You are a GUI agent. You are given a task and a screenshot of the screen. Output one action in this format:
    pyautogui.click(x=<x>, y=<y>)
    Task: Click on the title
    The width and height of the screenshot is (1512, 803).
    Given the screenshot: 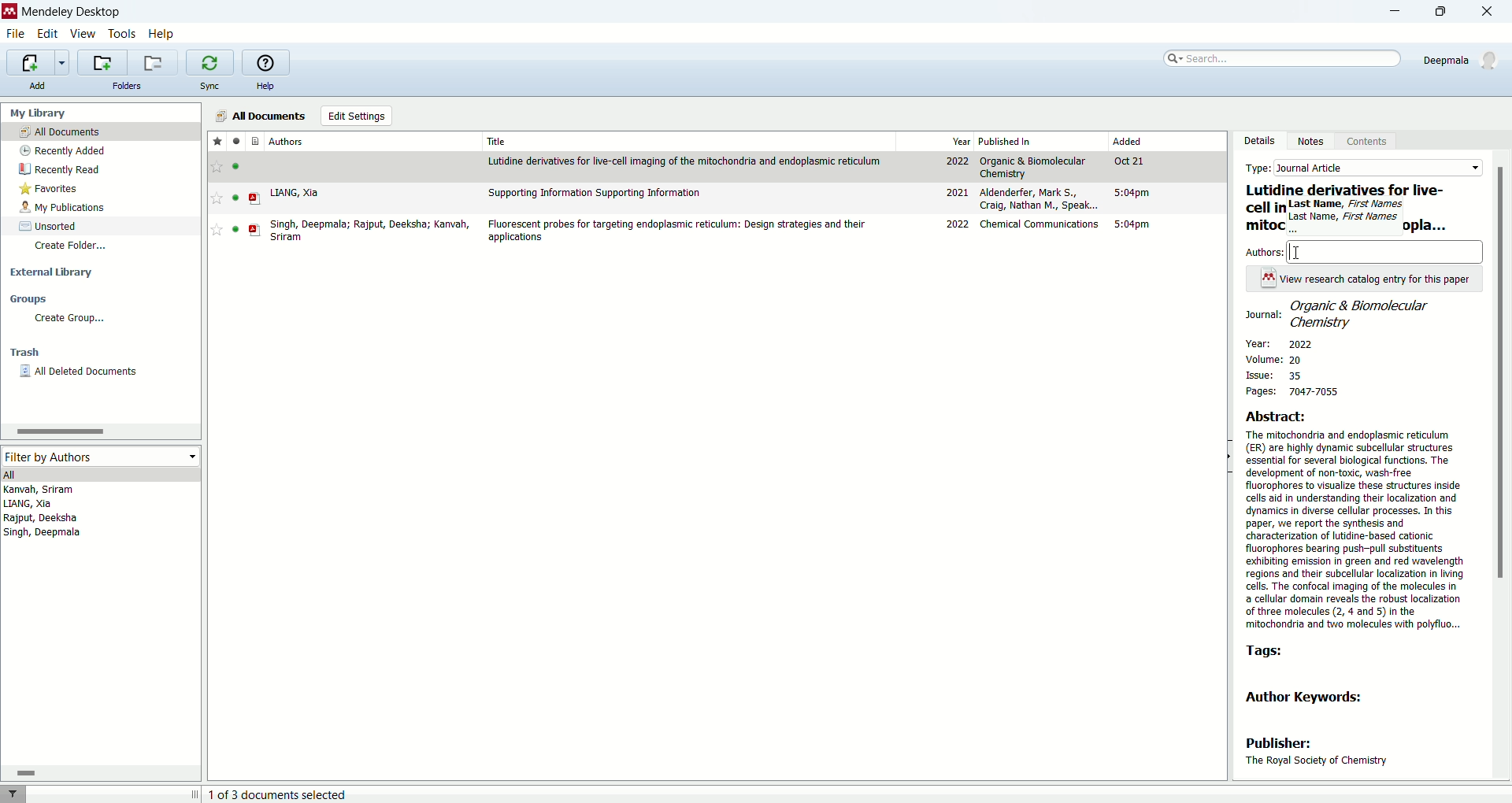 What is the action you would take?
    pyautogui.click(x=496, y=141)
    